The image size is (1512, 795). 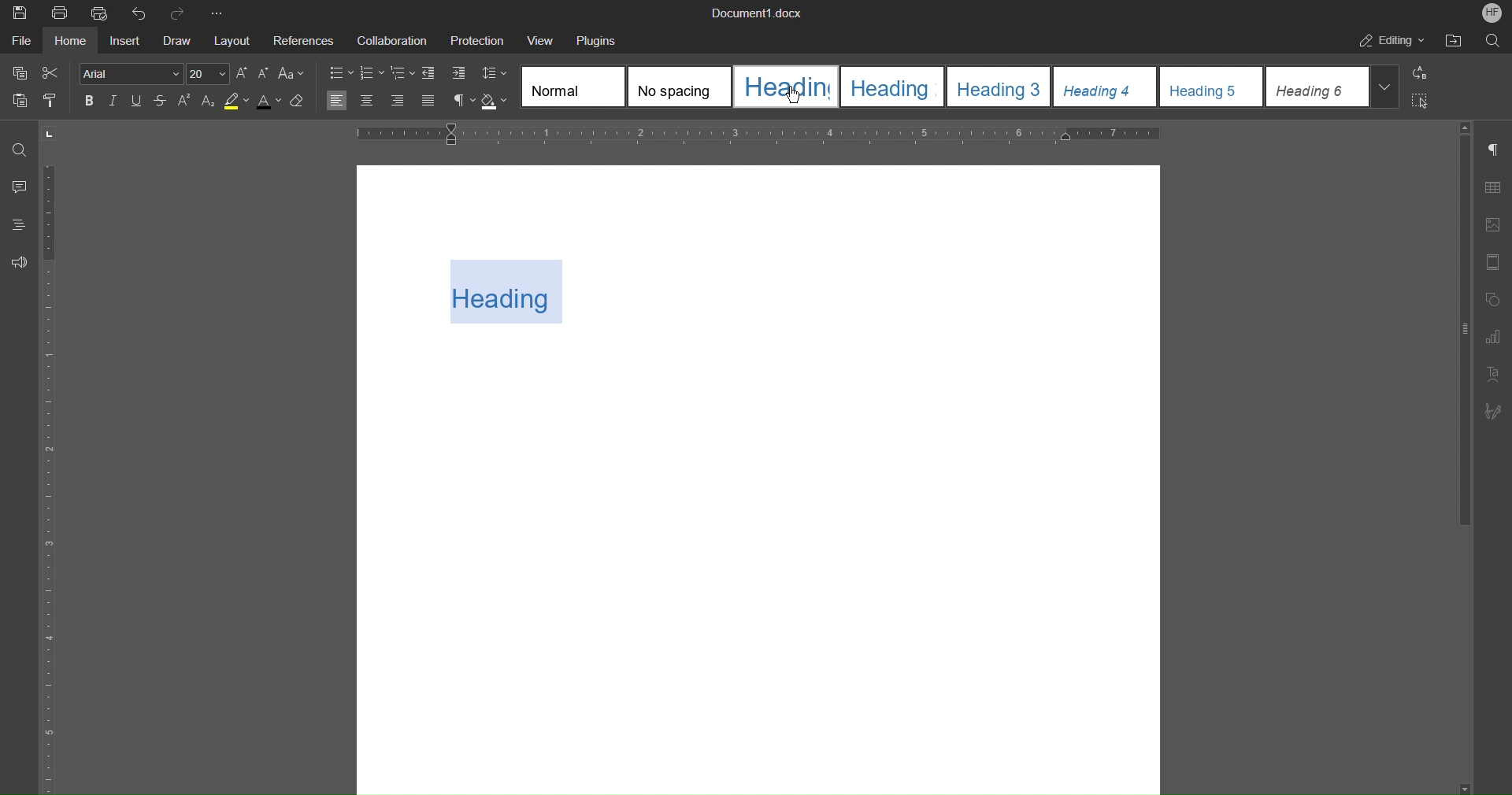 What do you see at coordinates (371, 73) in the screenshot?
I see `Numbered List` at bounding box center [371, 73].